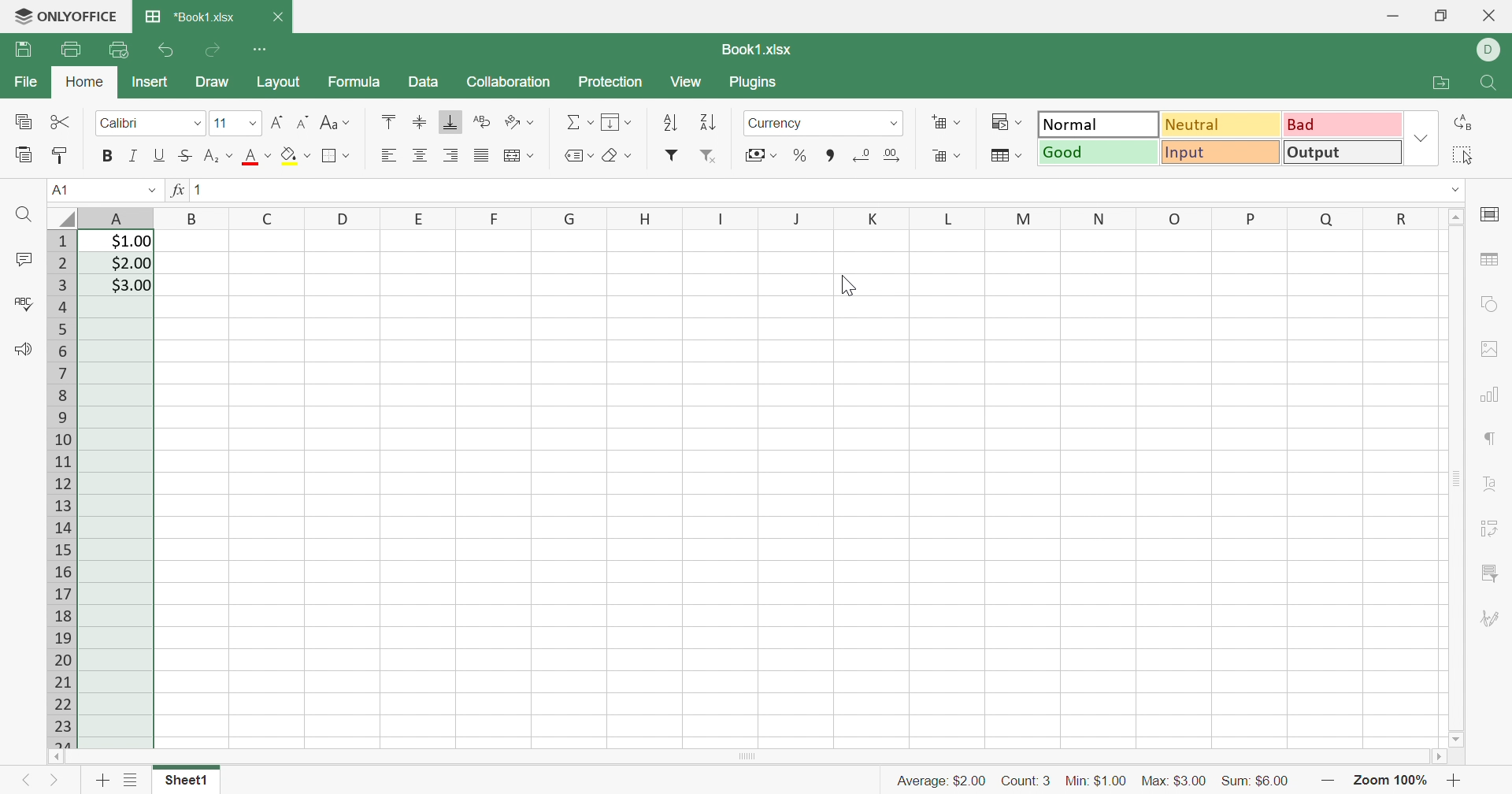 Image resolution: width=1512 pixels, height=794 pixels. Describe the element at coordinates (54, 783) in the screenshot. I see `Next` at that location.